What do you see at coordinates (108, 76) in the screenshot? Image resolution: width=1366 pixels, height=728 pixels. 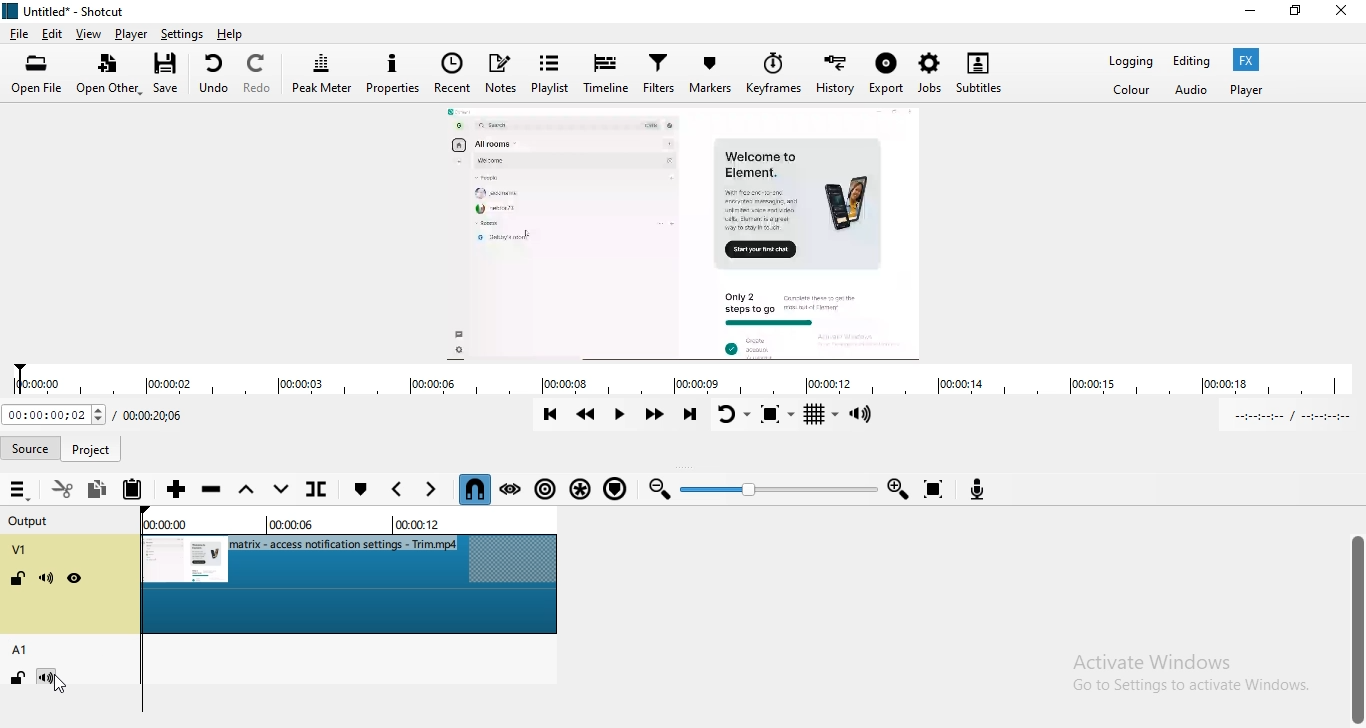 I see `Open other ` at bounding box center [108, 76].